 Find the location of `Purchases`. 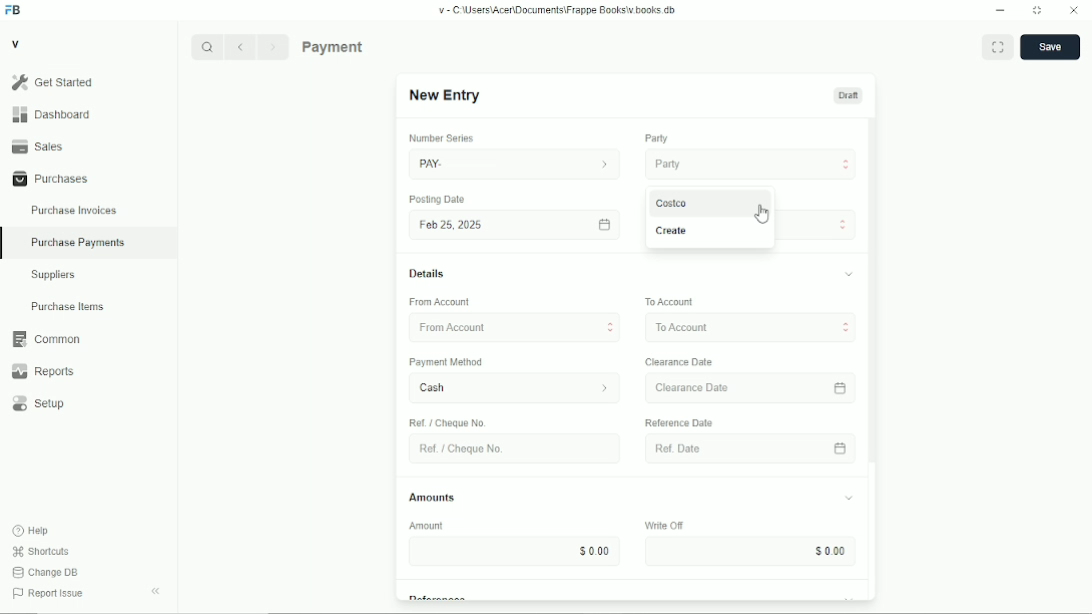

Purchases is located at coordinates (88, 178).